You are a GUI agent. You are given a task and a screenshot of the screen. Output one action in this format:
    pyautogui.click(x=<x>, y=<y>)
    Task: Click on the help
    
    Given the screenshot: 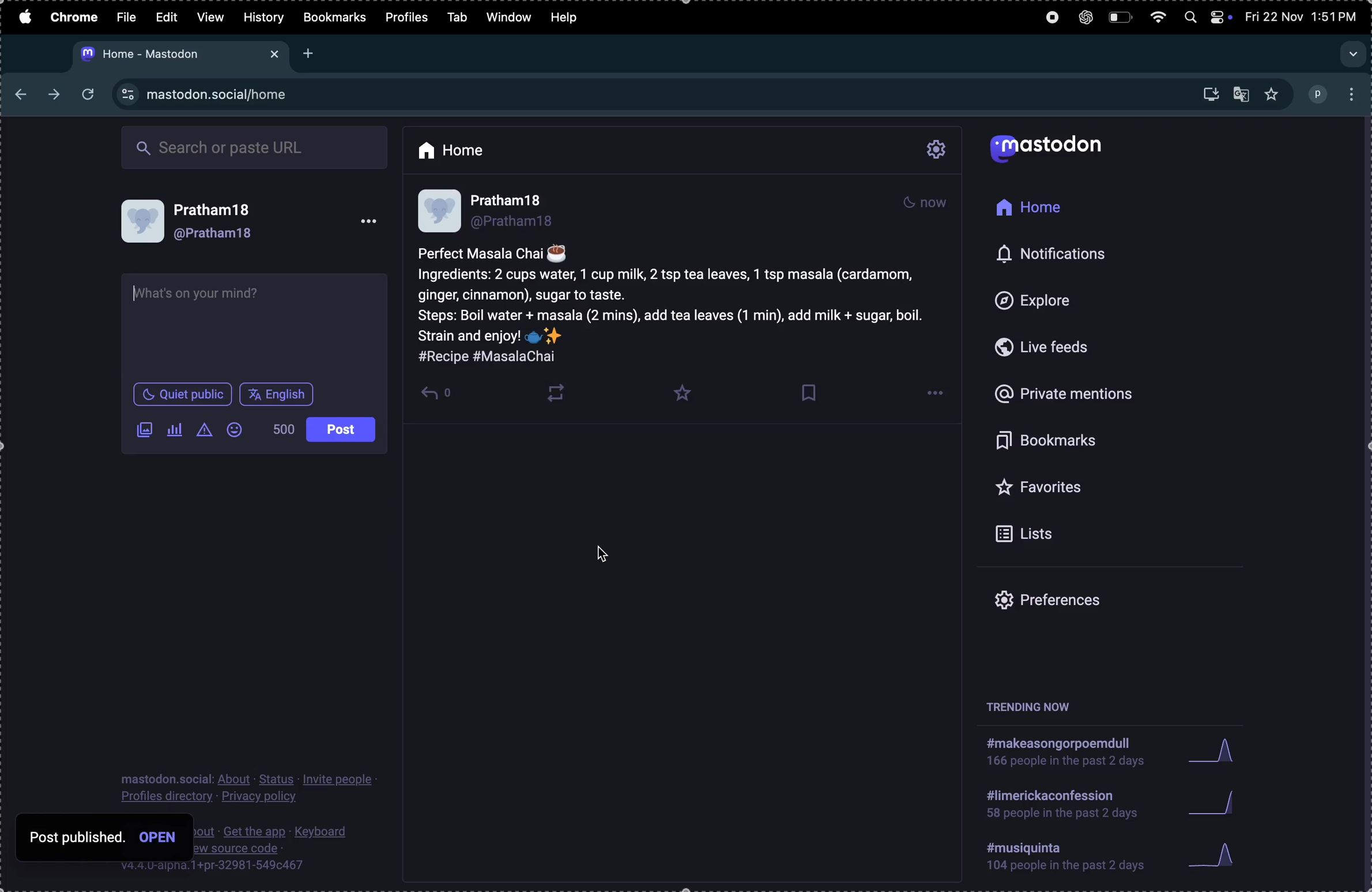 What is the action you would take?
    pyautogui.click(x=569, y=17)
    